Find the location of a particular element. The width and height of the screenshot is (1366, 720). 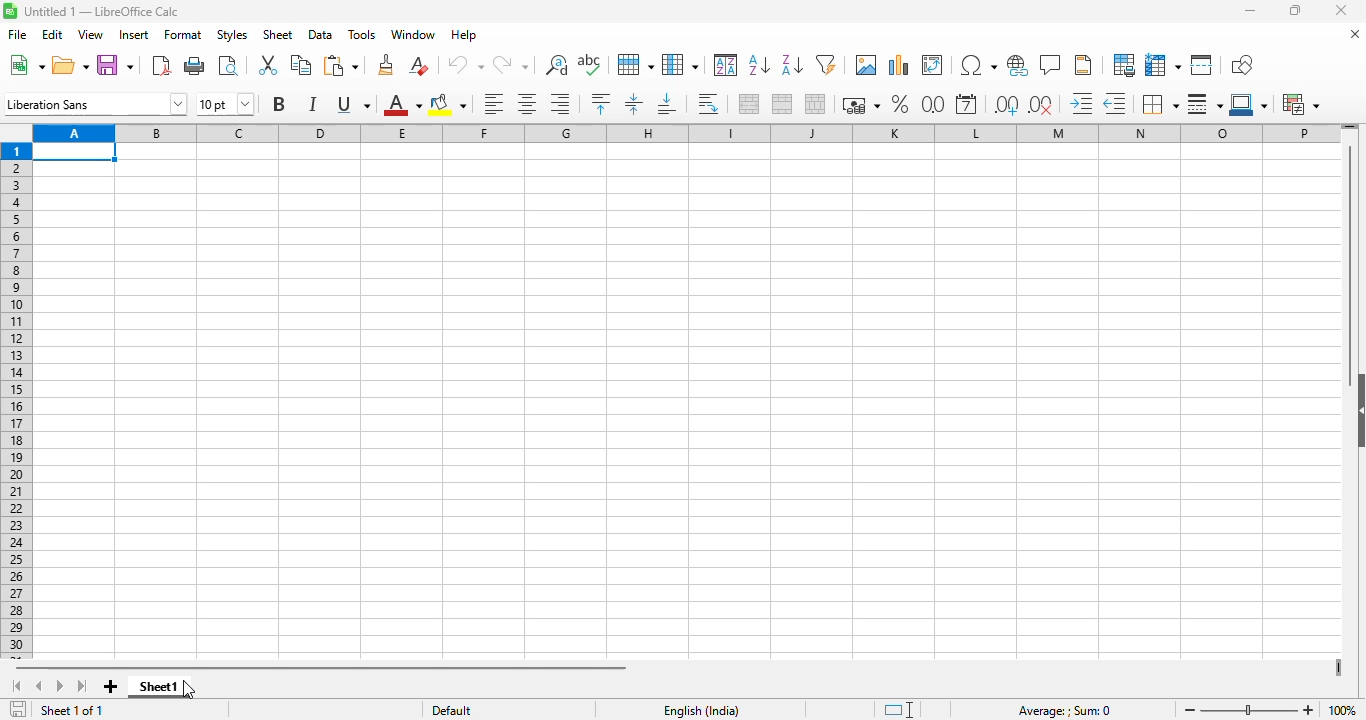

add decimal is located at coordinates (1007, 104).